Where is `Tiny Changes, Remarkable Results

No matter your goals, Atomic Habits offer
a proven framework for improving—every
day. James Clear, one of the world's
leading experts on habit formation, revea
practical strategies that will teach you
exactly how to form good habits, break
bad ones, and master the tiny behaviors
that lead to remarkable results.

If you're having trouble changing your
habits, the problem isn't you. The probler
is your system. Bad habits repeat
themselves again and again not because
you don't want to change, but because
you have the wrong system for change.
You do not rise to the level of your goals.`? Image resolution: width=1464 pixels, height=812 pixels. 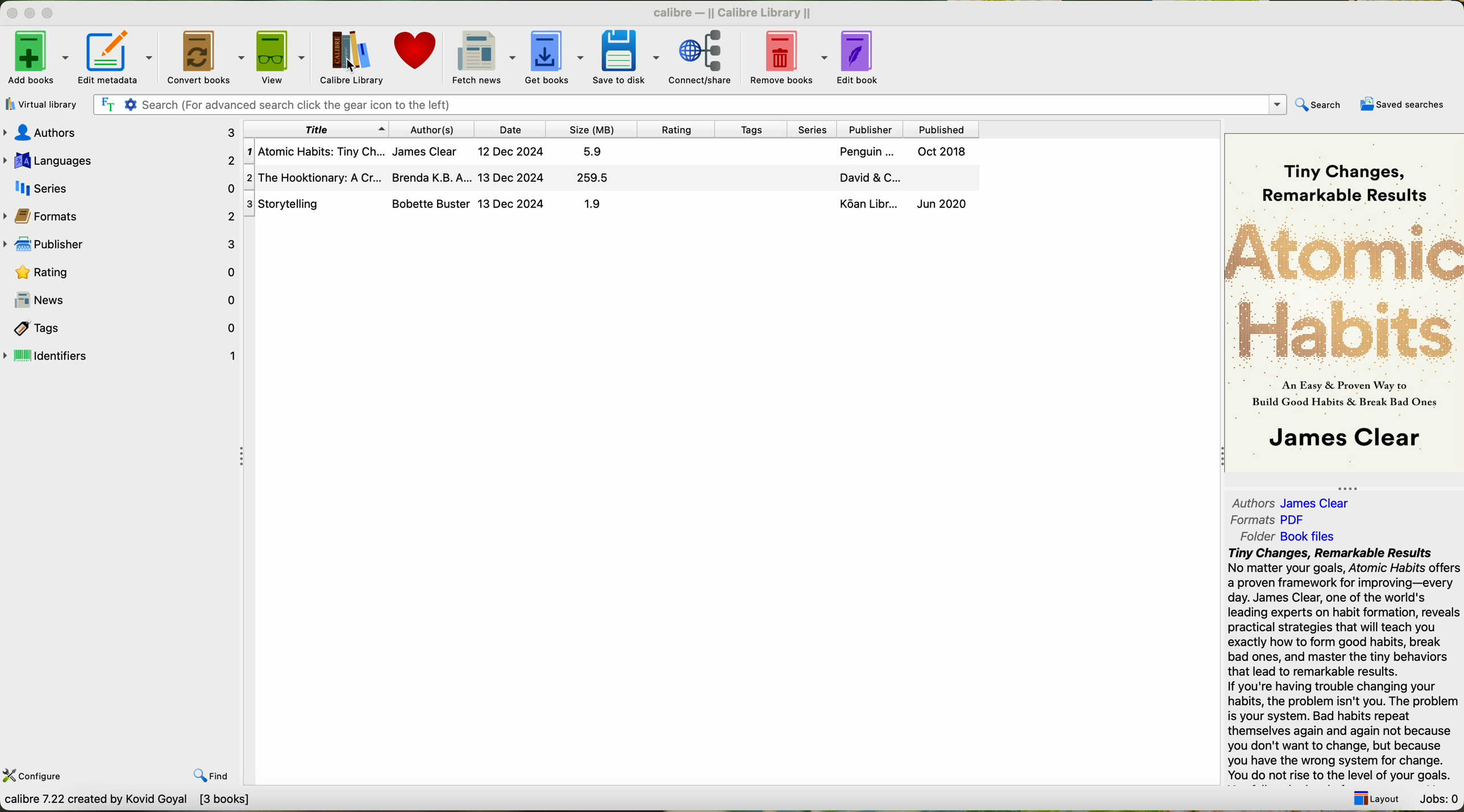
Tiny Changes, Remarkable Results

No matter your goals, Atomic Habits offer
a proven framework for improving—every
day. James Clear, one of the world's
leading experts on habit formation, revea
practical strategies that will teach you
exactly how to form good habits, break
bad ones, and master the tiny behaviors
that lead to remarkable results.

If you're having trouble changing your
habits, the problem isn't you. The probler
is your system. Bad habits repeat
themselves again and again not because
you don't want to change, but because
you have the wrong system for change.
You do not rise to the level of your goals. is located at coordinates (1342, 665).